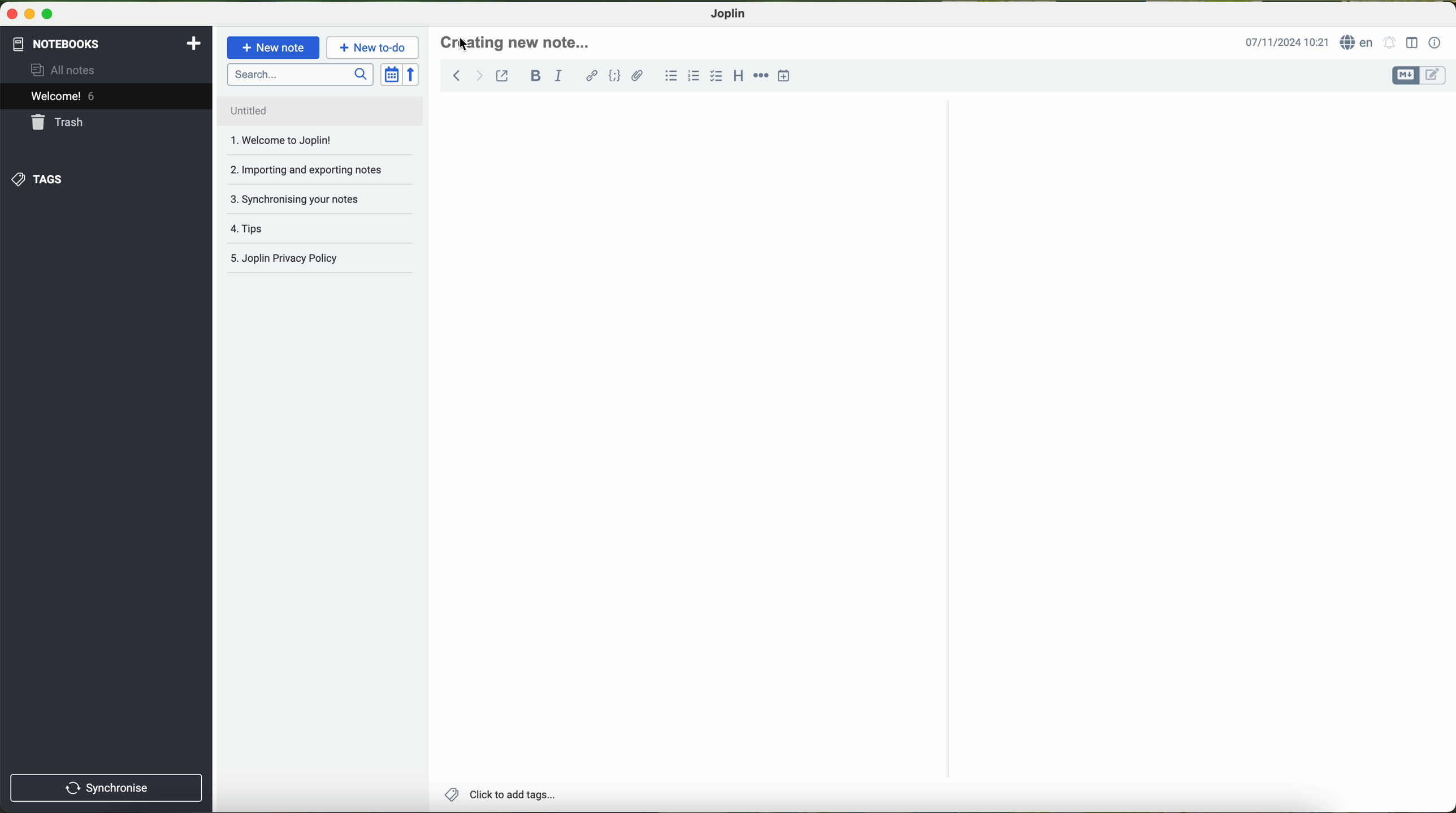 This screenshot has height=813, width=1456. What do you see at coordinates (466, 47) in the screenshot?
I see `cursor` at bounding box center [466, 47].